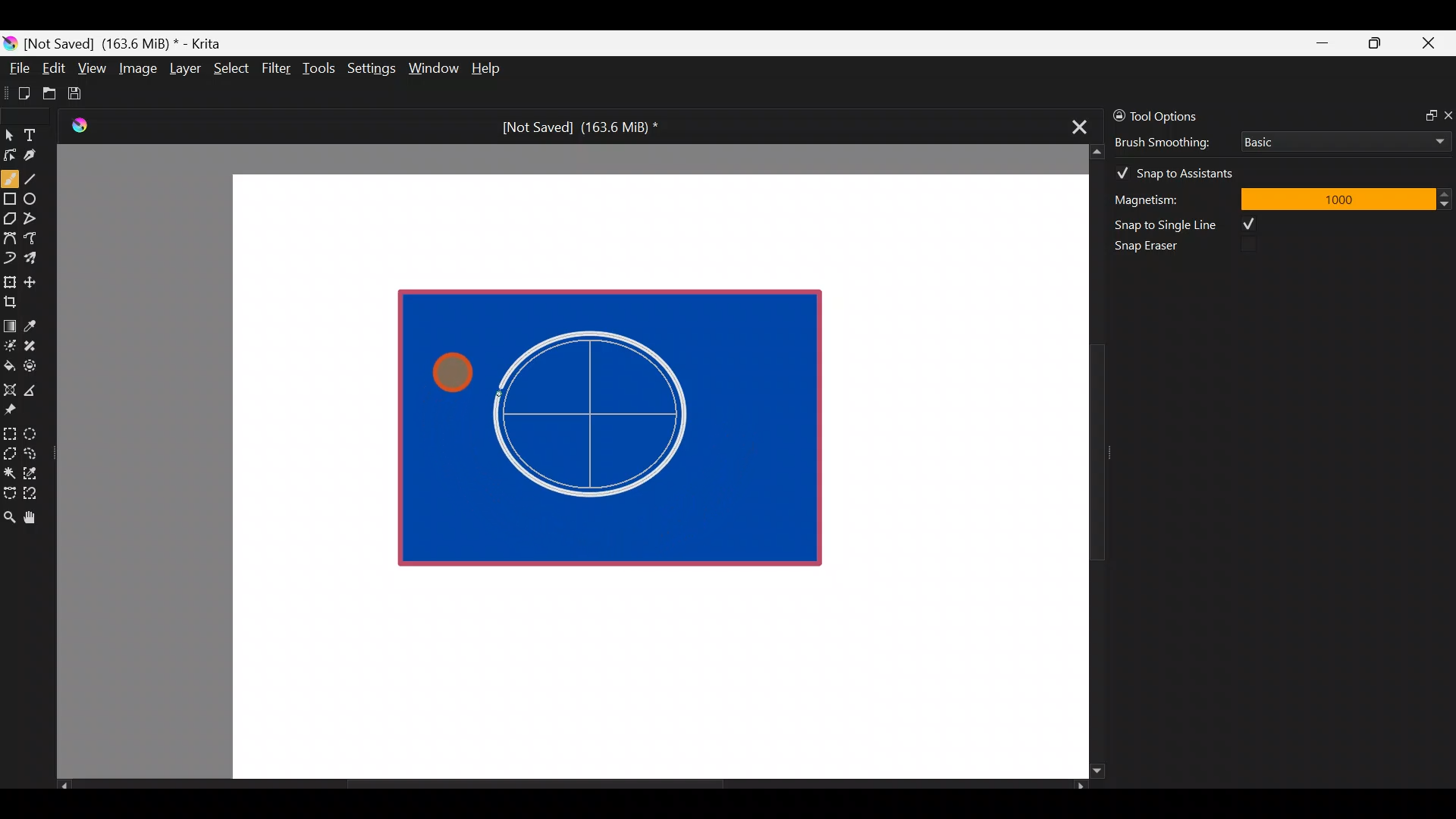 The height and width of the screenshot is (819, 1456). What do you see at coordinates (15, 408) in the screenshot?
I see `Reference images tool` at bounding box center [15, 408].